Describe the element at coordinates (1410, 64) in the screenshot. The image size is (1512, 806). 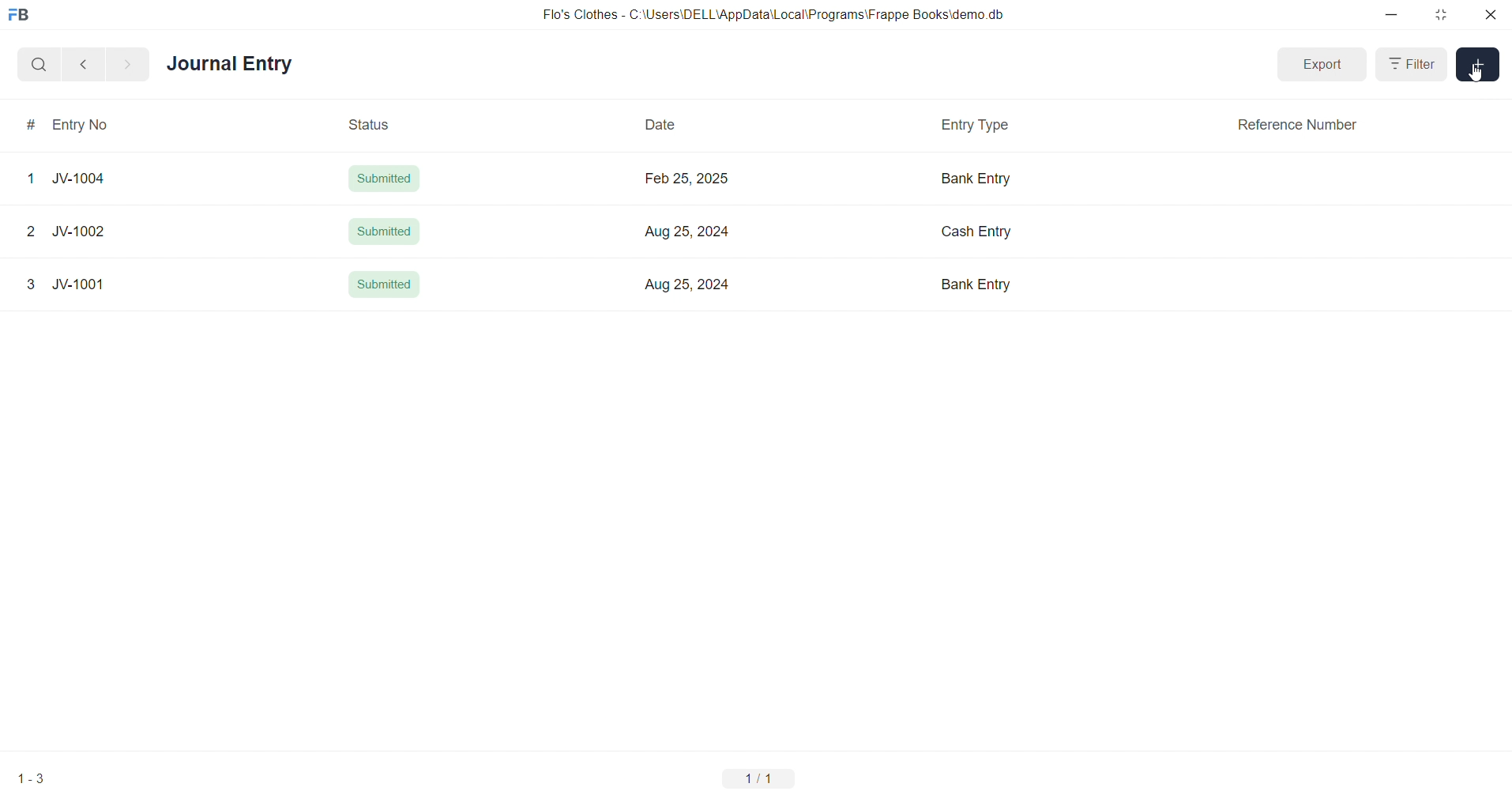
I see `Filter` at that location.